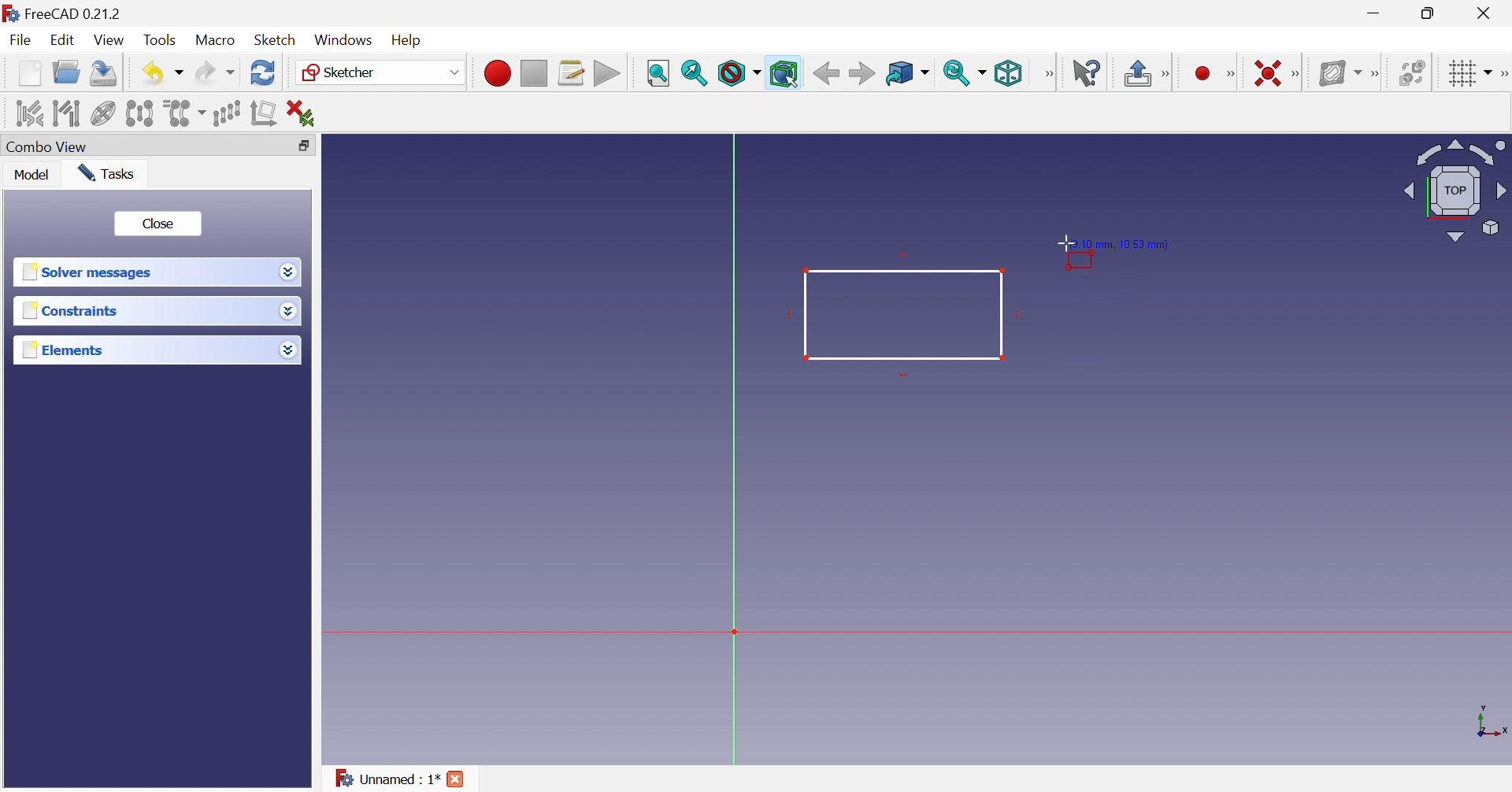  What do you see at coordinates (1091, 72) in the screenshot?
I see `What's this` at bounding box center [1091, 72].